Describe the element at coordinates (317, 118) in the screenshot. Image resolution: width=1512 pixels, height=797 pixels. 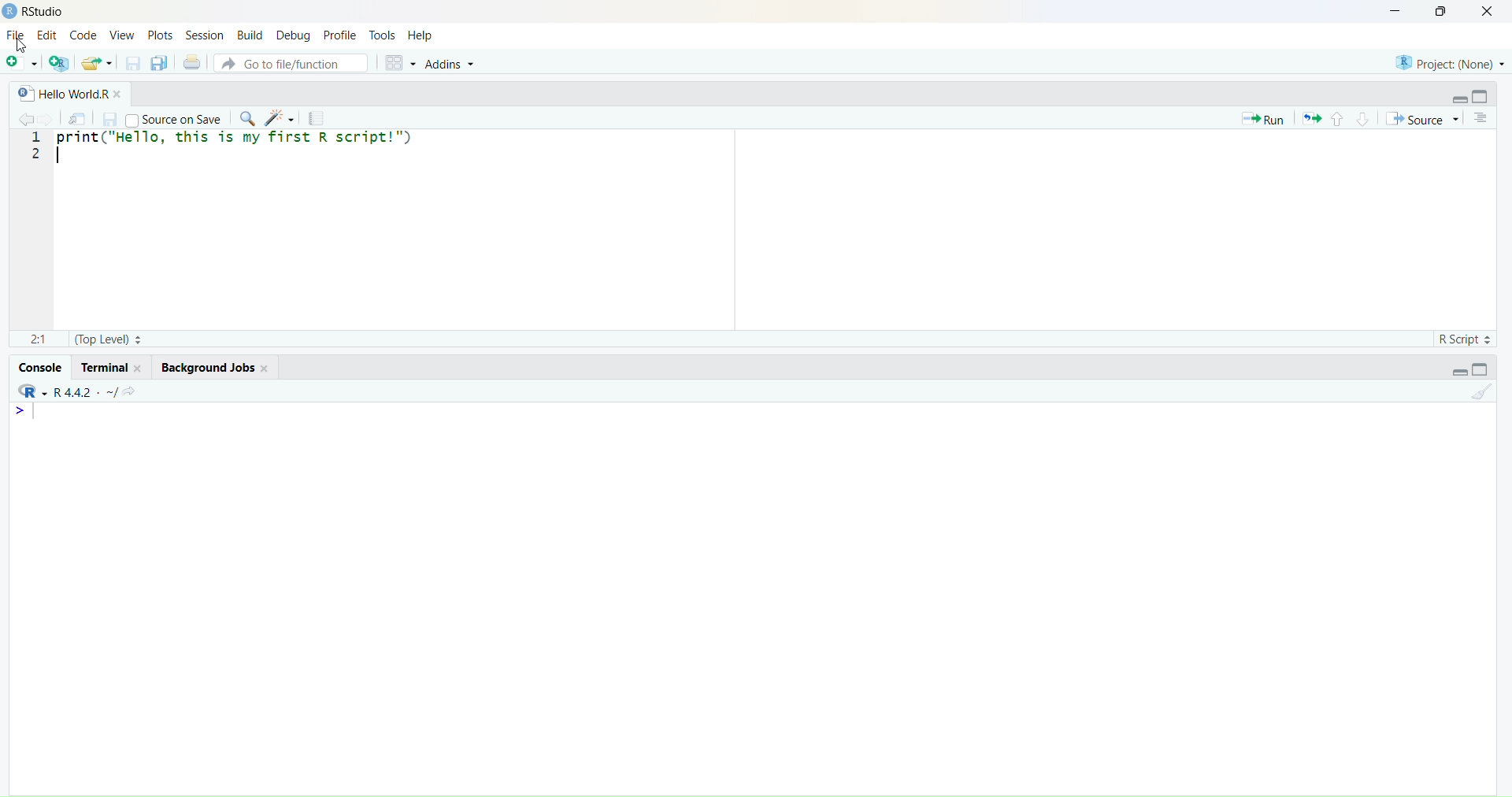
I see `Compile Report (Ctrl + Shift + K)` at that location.